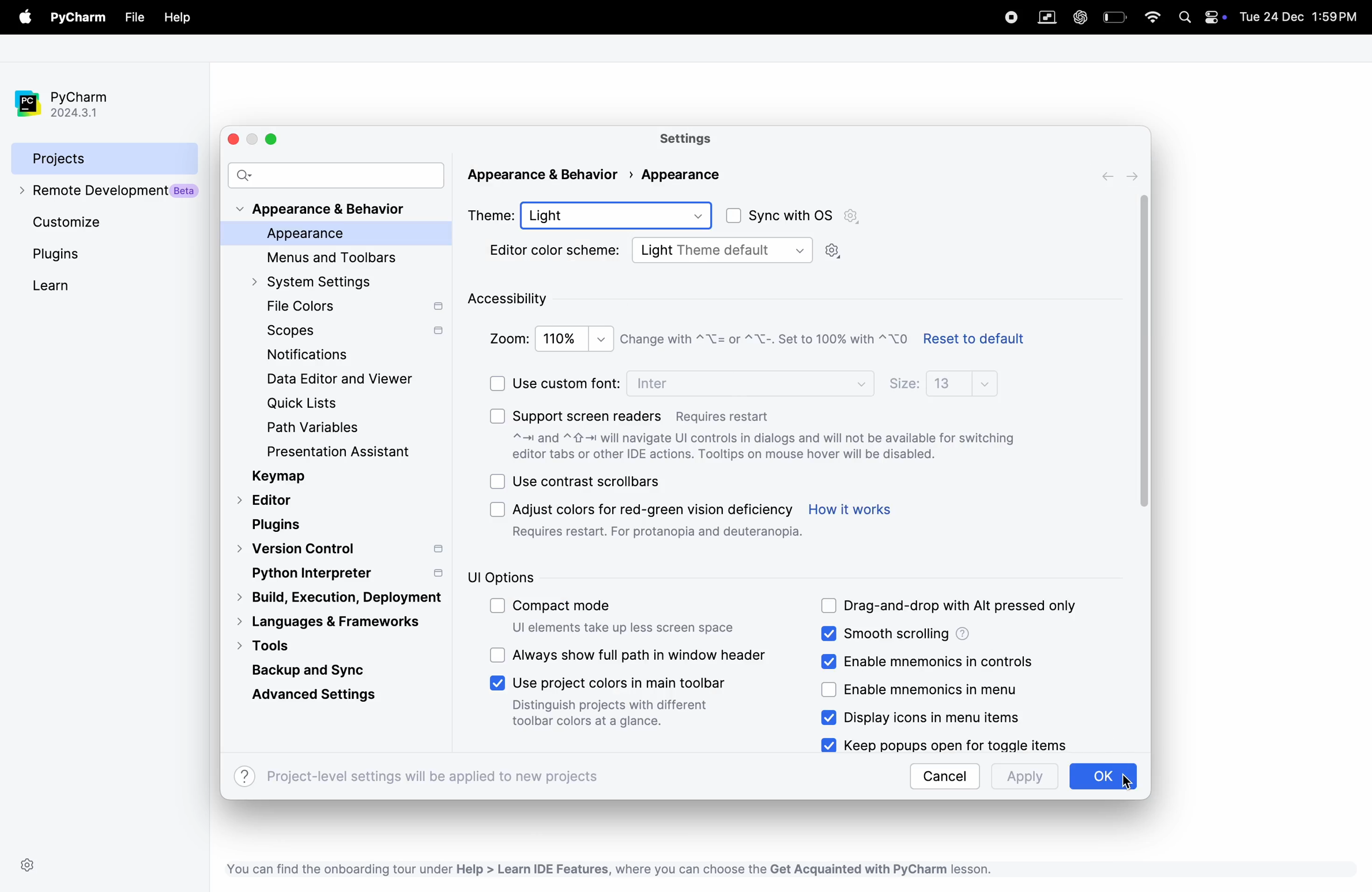  I want to click on close, so click(237, 139).